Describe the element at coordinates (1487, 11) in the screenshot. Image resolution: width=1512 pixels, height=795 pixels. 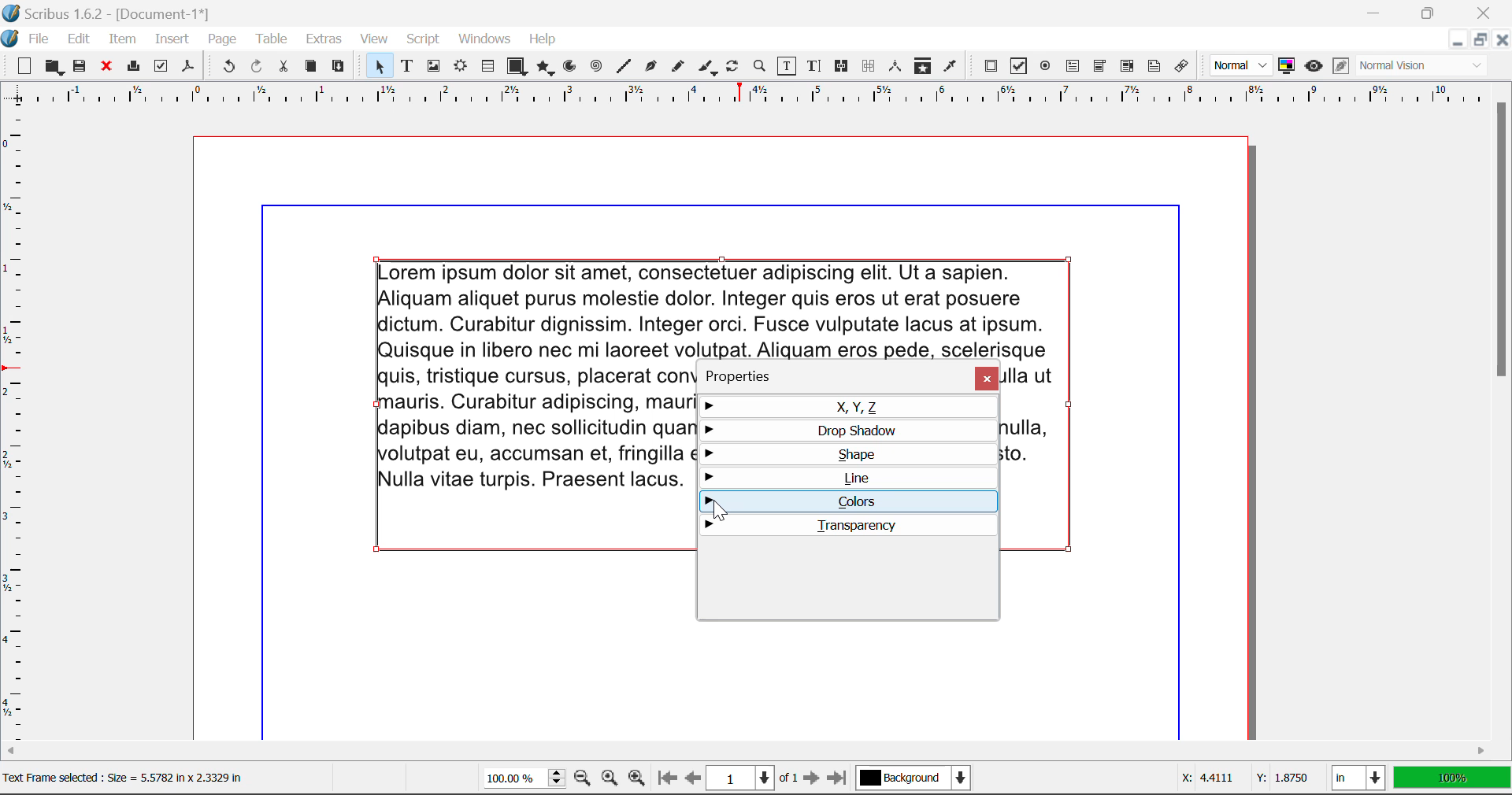
I see `Close` at that location.